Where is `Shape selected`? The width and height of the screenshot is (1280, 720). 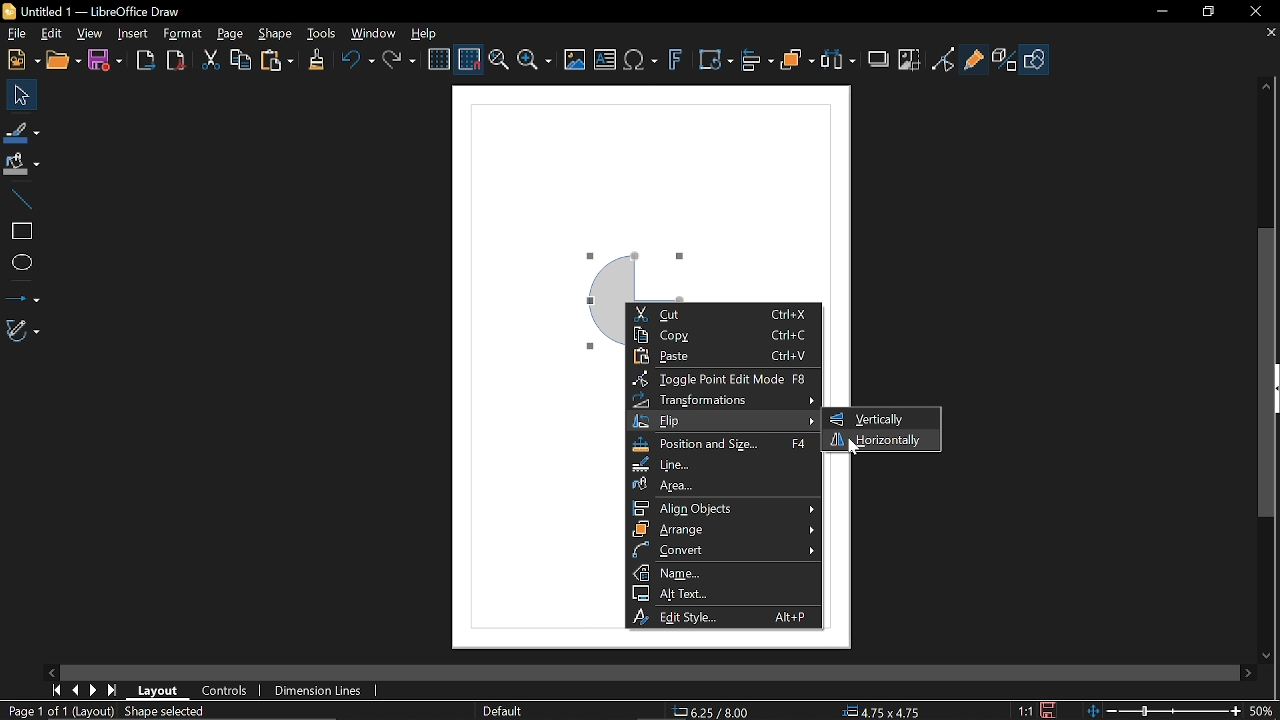 Shape selected is located at coordinates (180, 712).